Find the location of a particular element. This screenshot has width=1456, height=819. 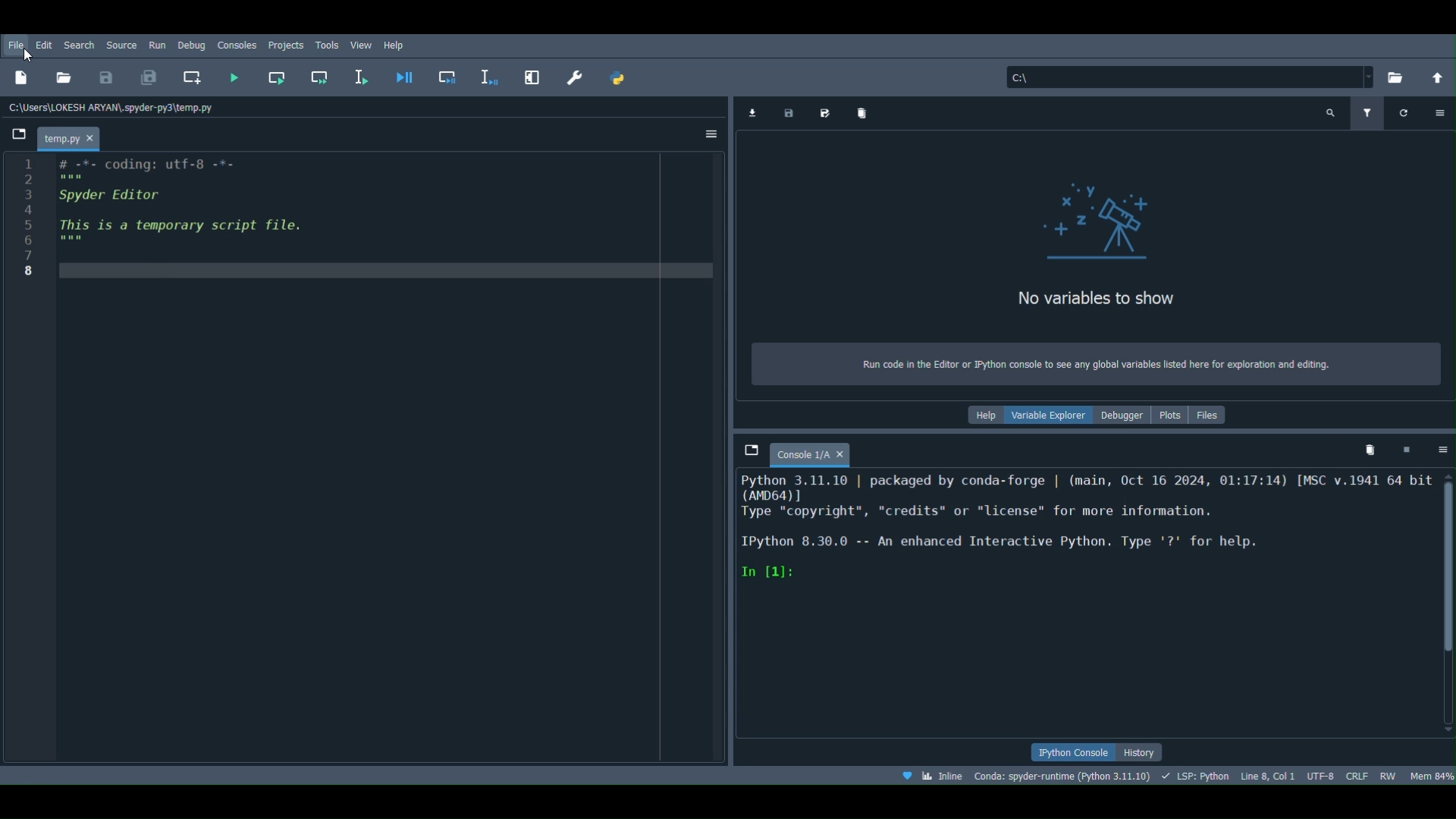

File is located at coordinates (15, 45).